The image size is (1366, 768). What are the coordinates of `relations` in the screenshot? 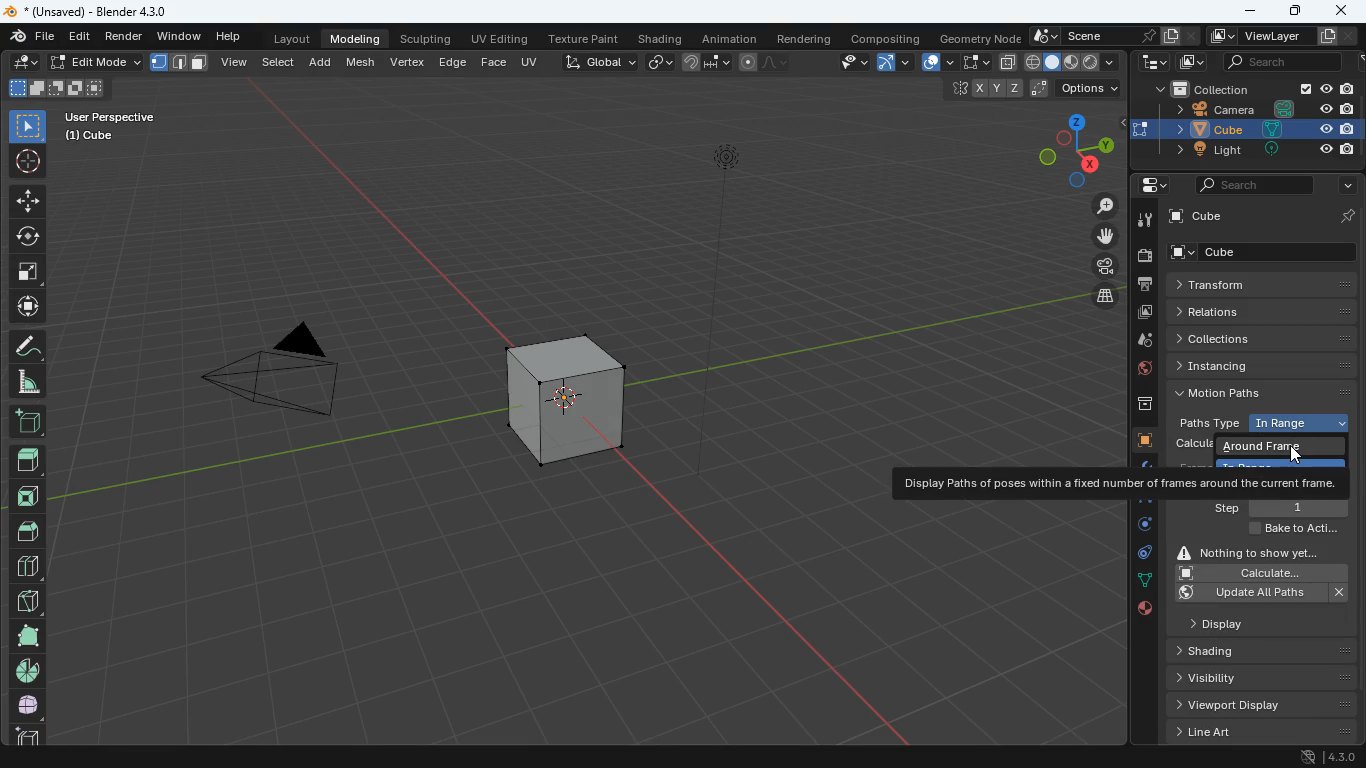 It's located at (1260, 310).